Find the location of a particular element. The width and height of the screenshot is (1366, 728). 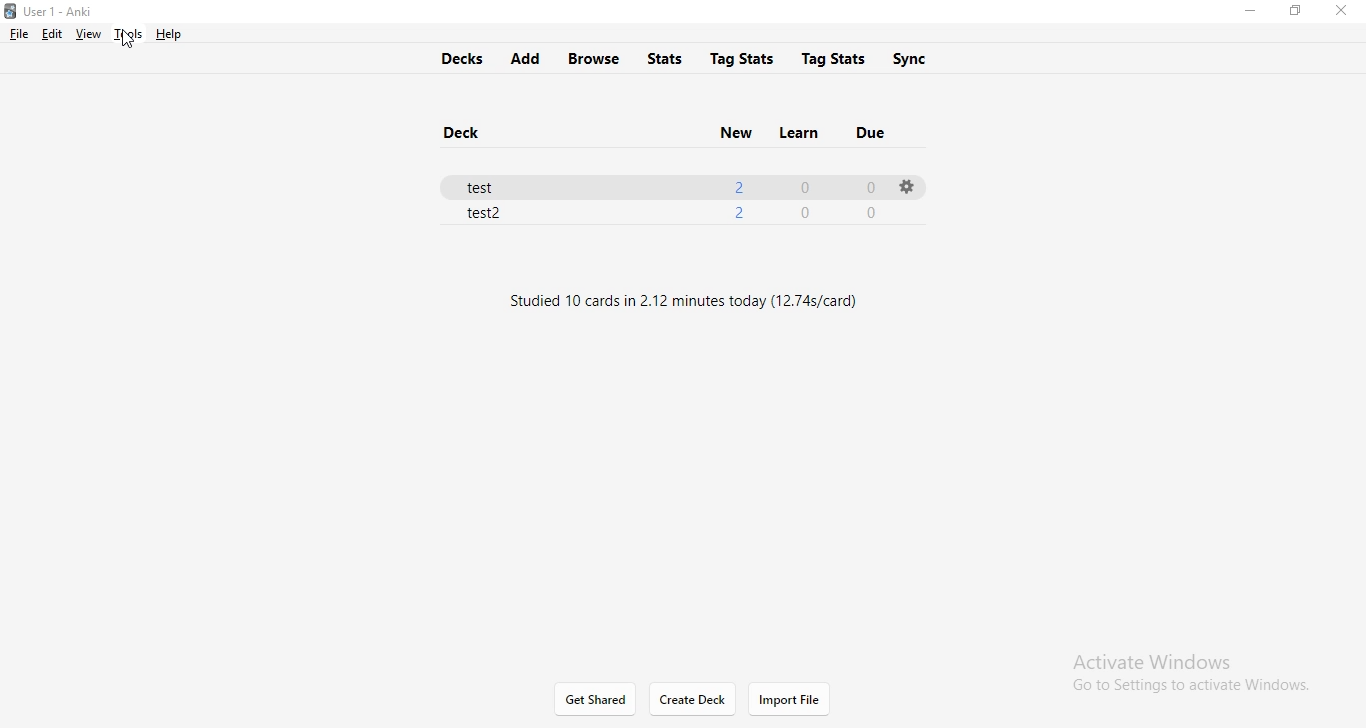

deck is located at coordinates (467, 134).